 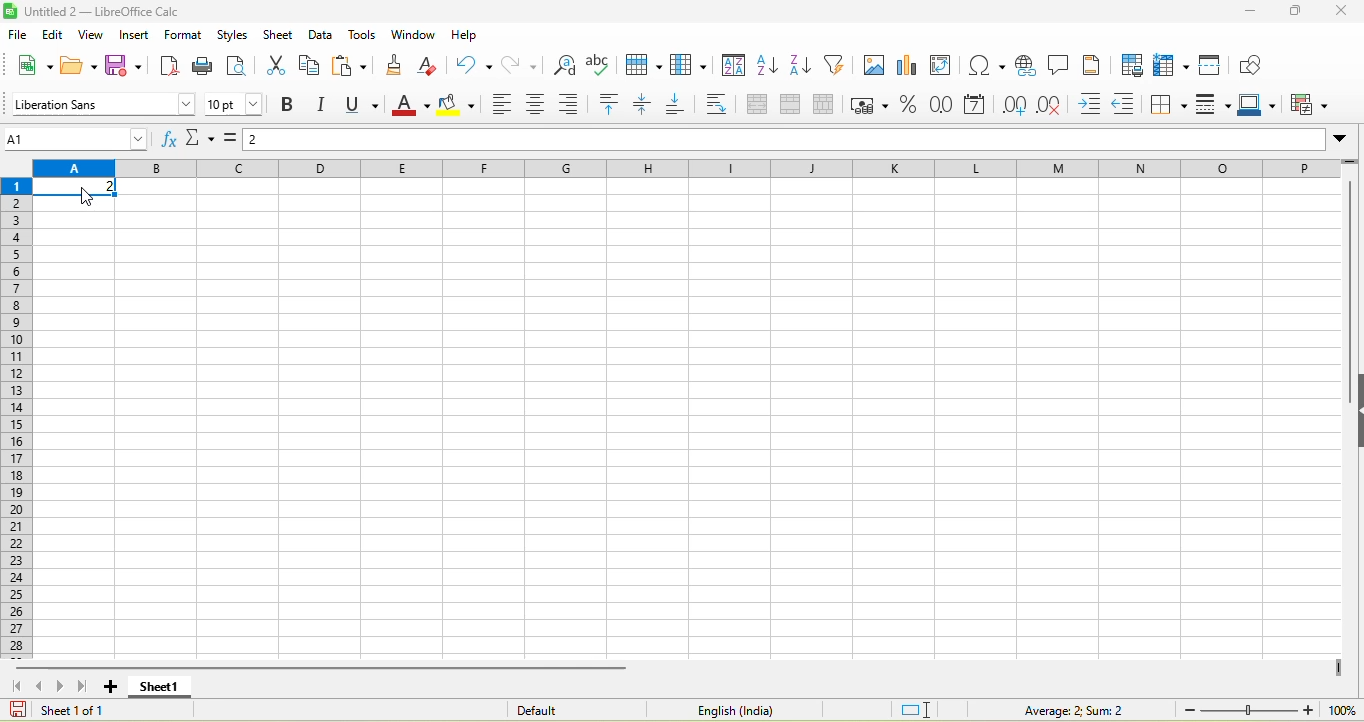 I want to click on format, so click(x=181, y=34).